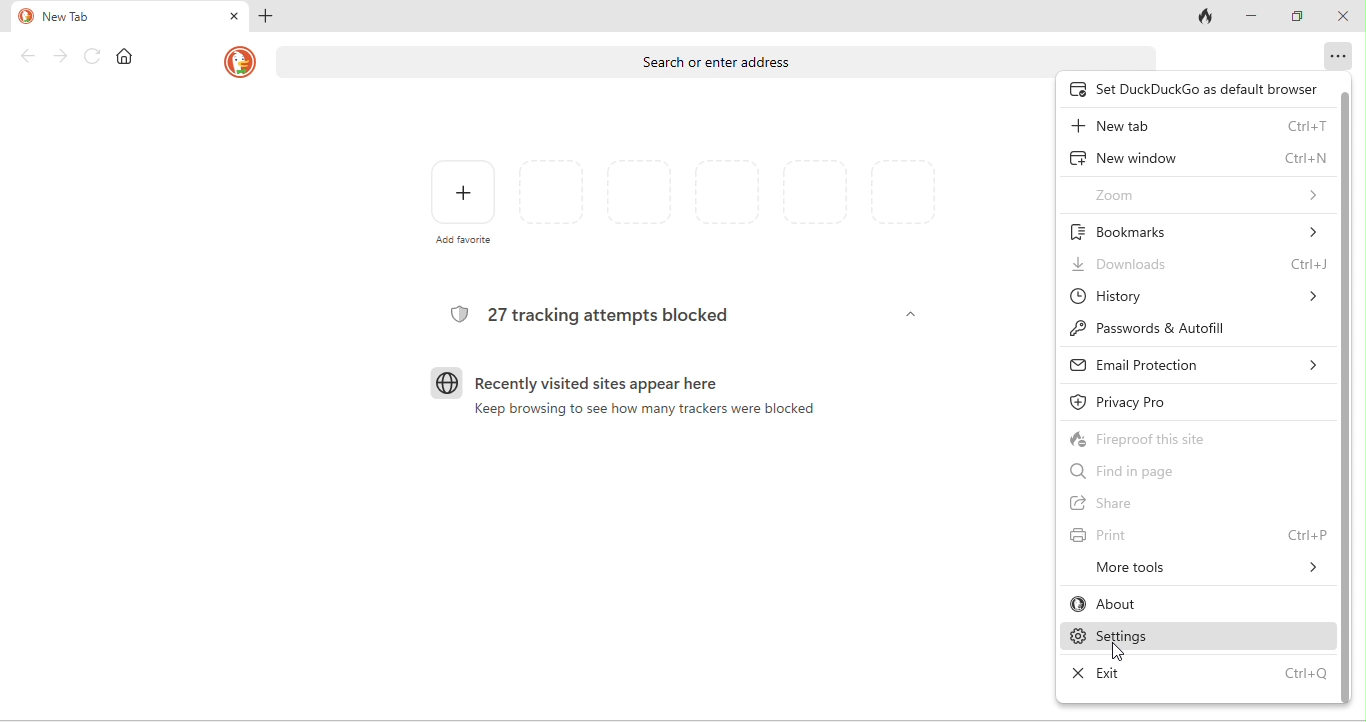 The image size is (1366, 722). What do you see at coordinates (457, 313) in the screenshot?
I see `tracking logo` at bounding box center [457, 313].